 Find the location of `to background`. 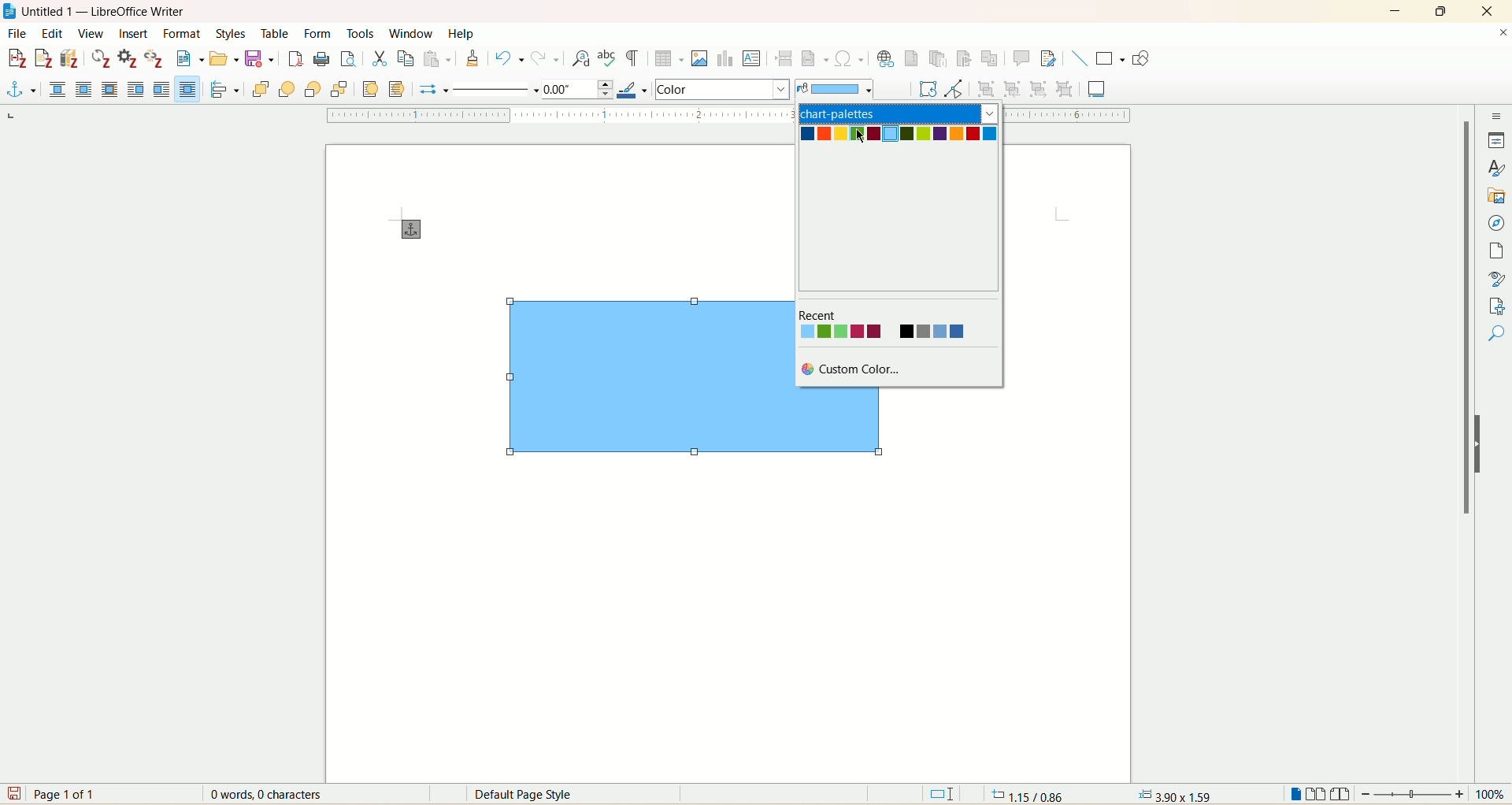

to background is located at coordinates (399, 89).